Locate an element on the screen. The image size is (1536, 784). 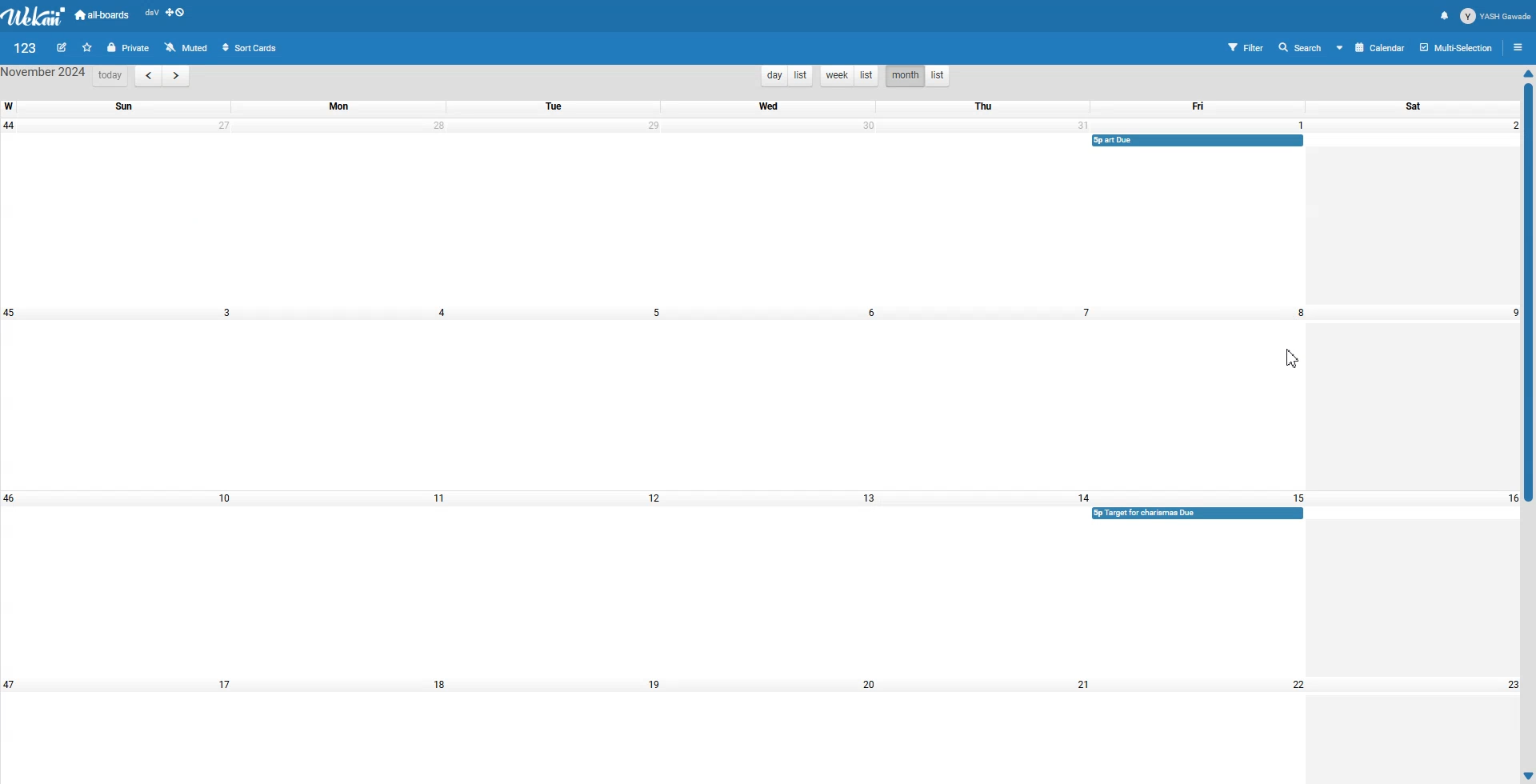
Card Deadline is located at coordinates (1198, 513).